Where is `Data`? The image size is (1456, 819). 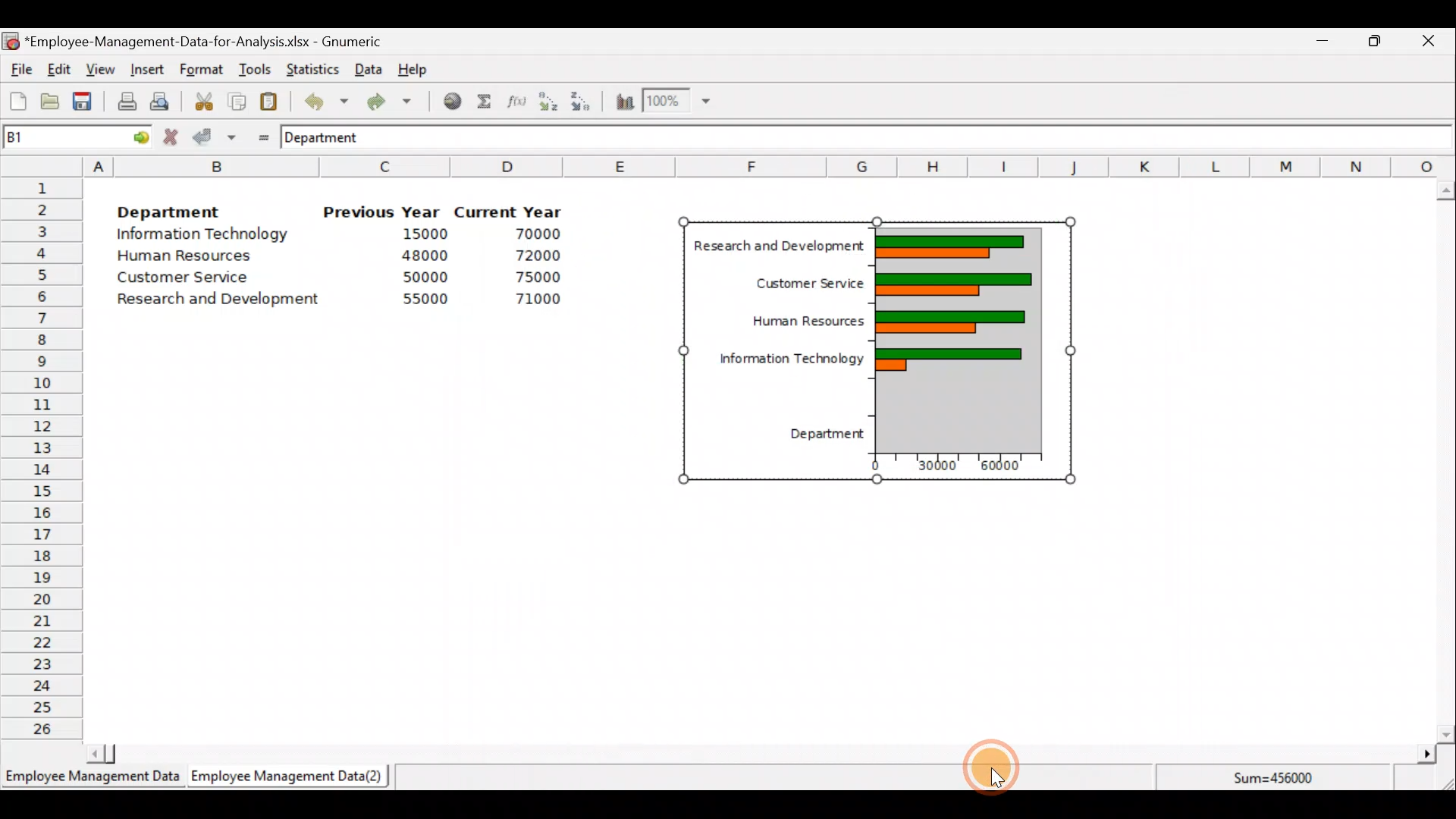 Data is located at coordinates (369, 69).